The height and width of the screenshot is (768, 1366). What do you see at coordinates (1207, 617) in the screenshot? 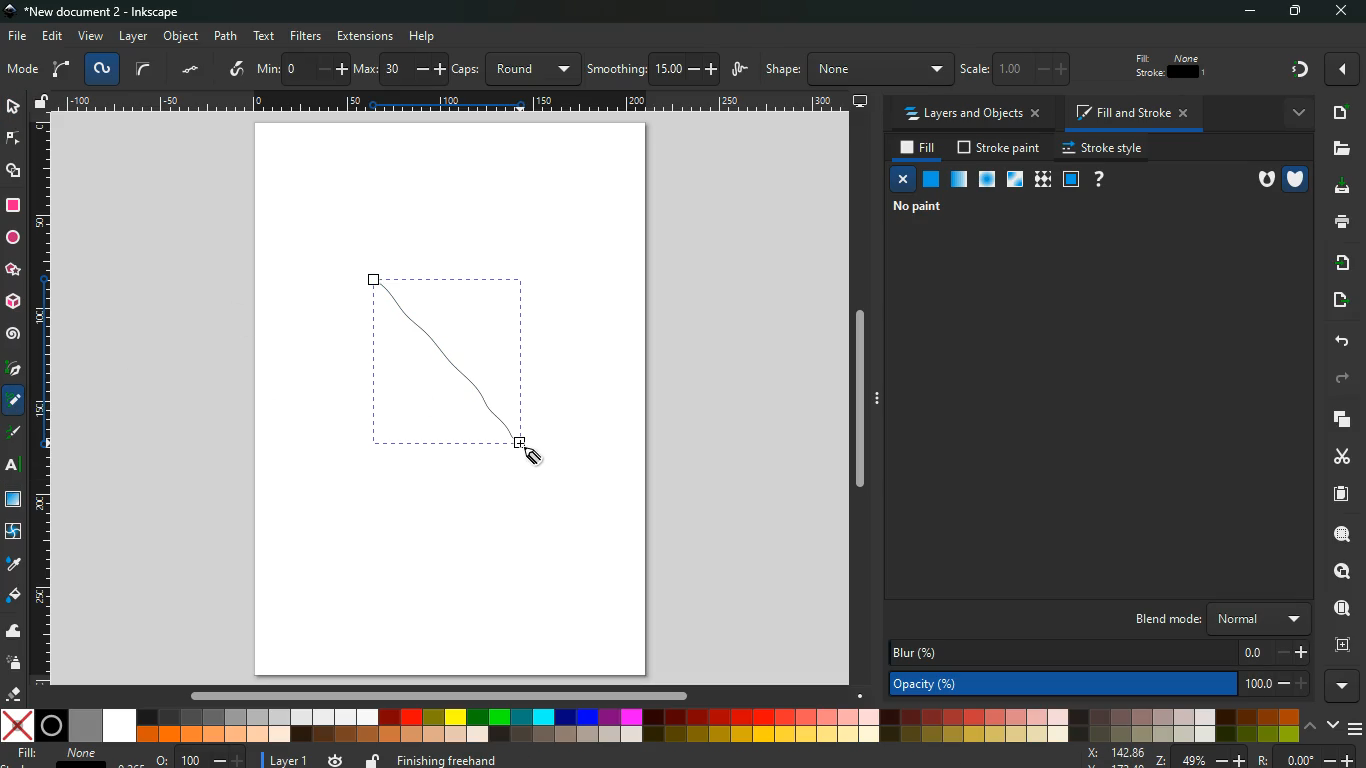
I see `blend mode` at bounding box center [1207, 617].